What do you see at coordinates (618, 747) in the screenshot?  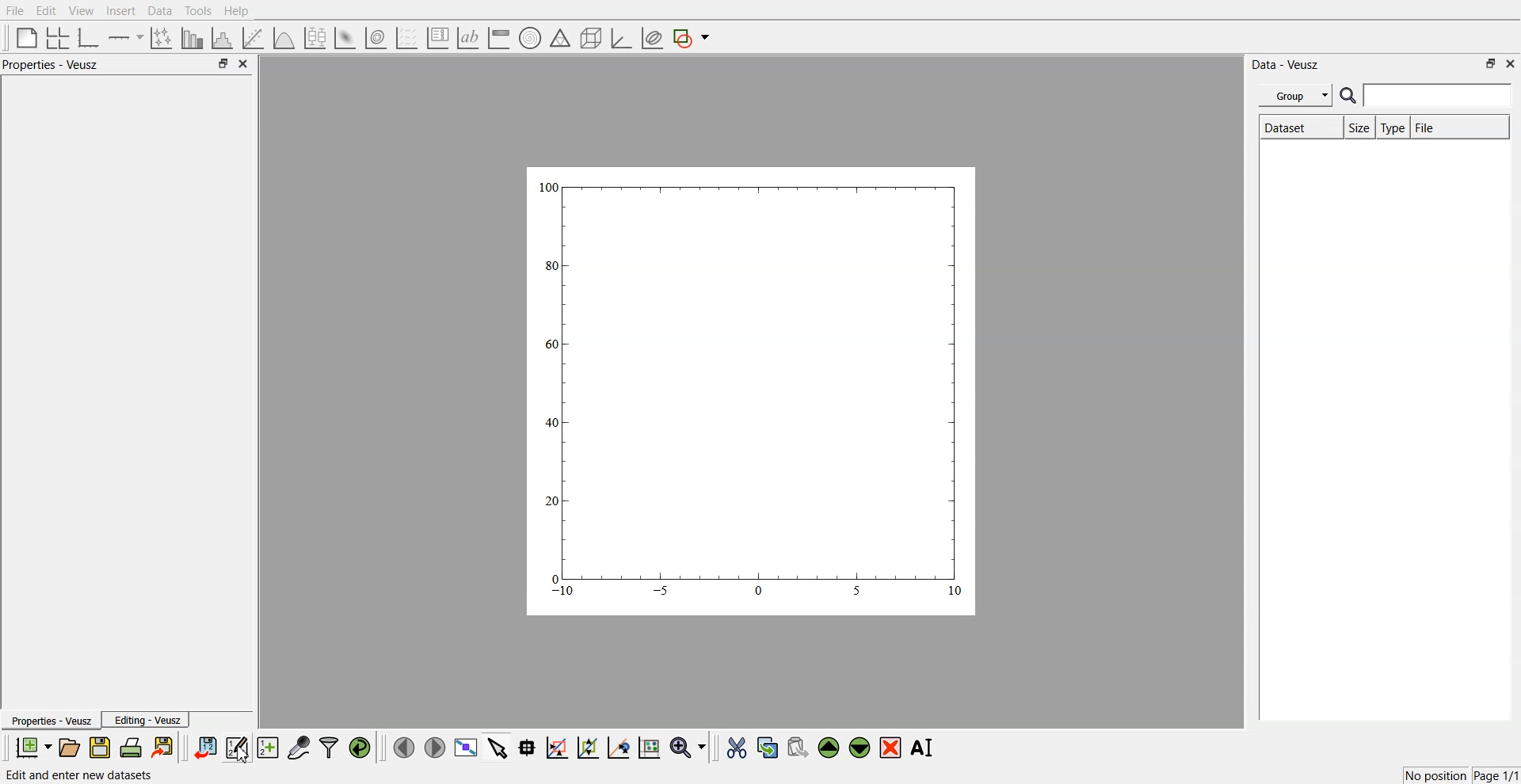 I see `recenter the graph axes` at bounding box center [618, 747].